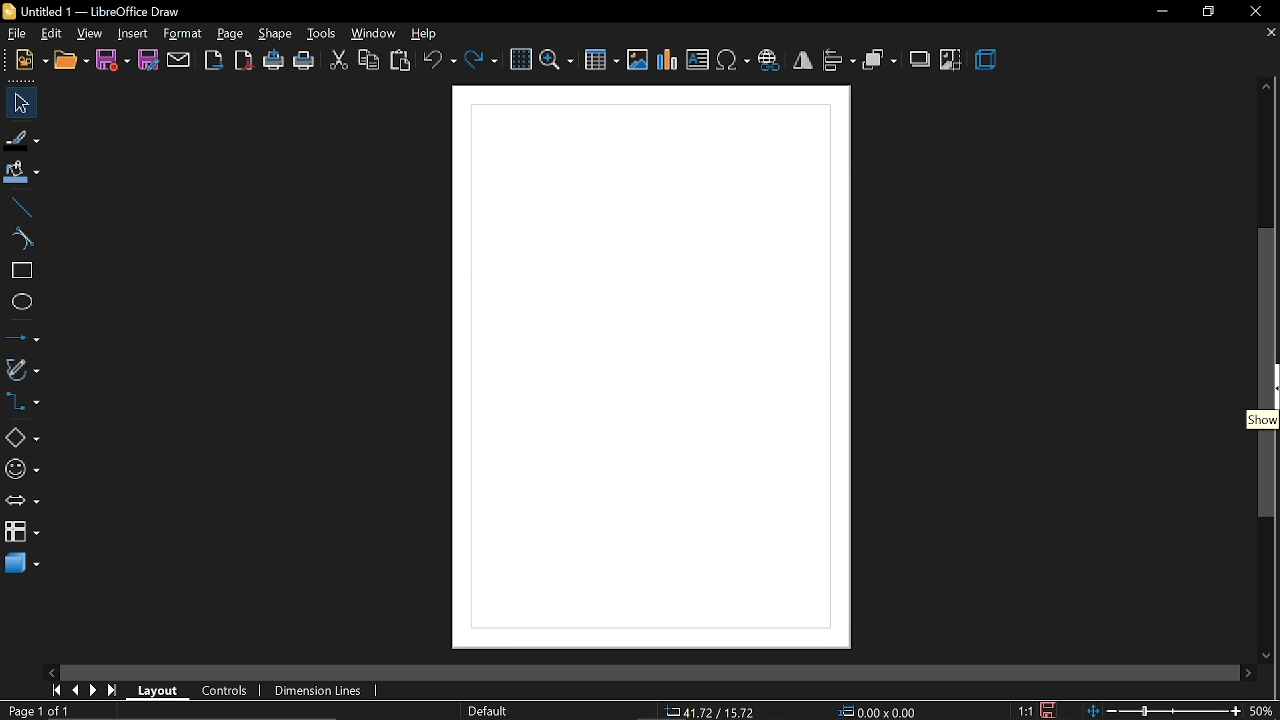  Describe the element at coordinates (427, 34) in the screenshot. I see `help` at that location.